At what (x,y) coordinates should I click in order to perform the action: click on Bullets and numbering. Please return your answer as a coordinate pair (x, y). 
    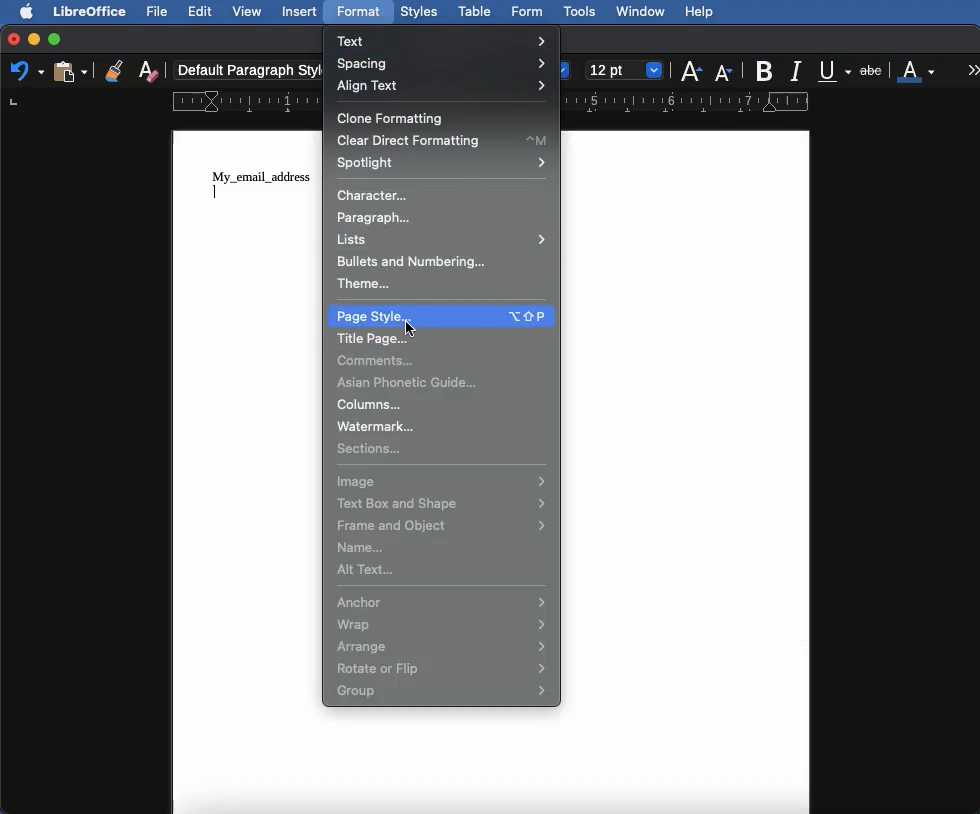
    Looking at the image, I should click on (422, 262).